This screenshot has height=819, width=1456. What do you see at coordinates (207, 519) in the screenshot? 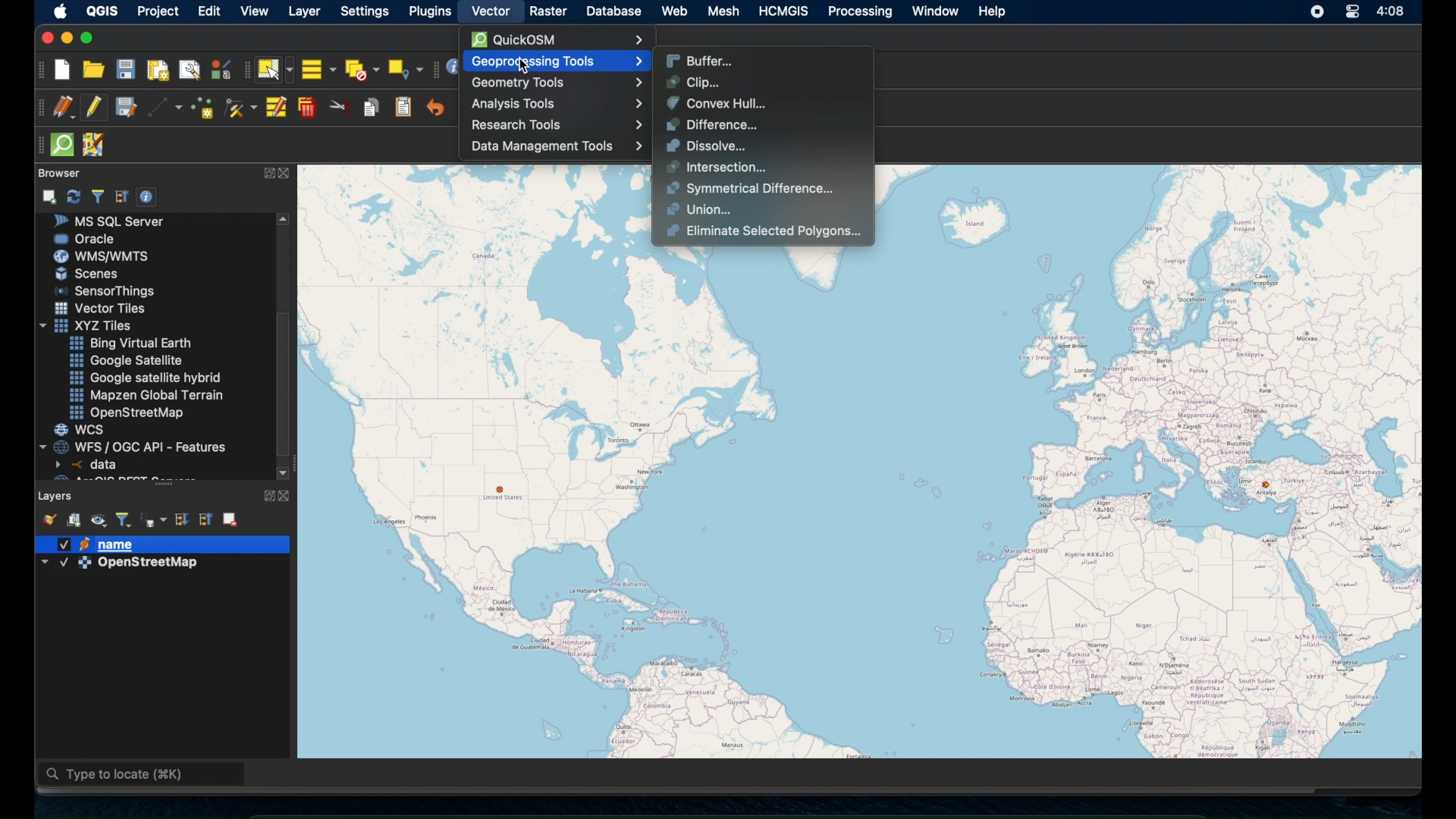
I see `collapse all` at bounding box center [207, 519].